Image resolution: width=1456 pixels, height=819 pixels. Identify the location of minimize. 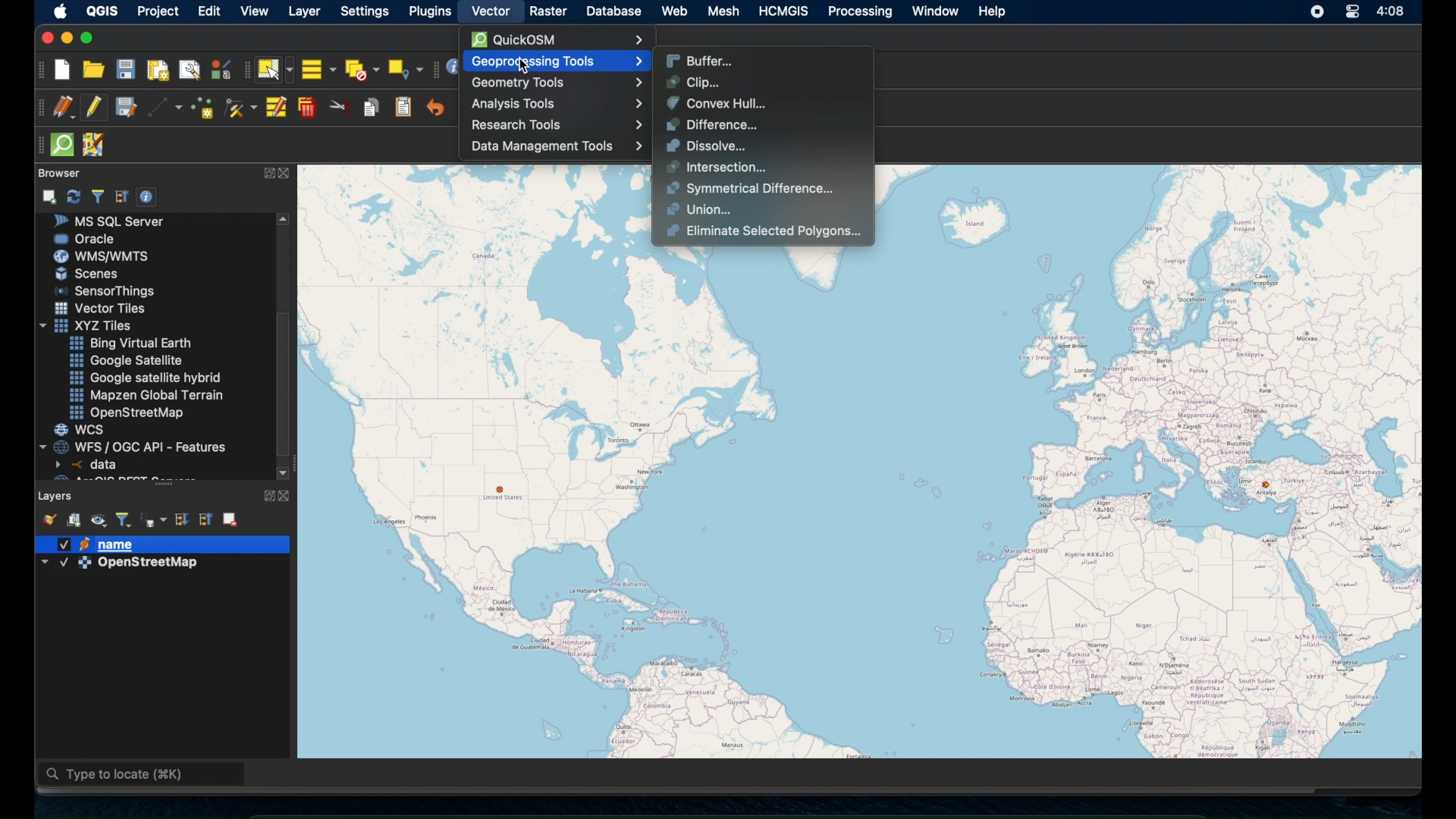
(65, 38).